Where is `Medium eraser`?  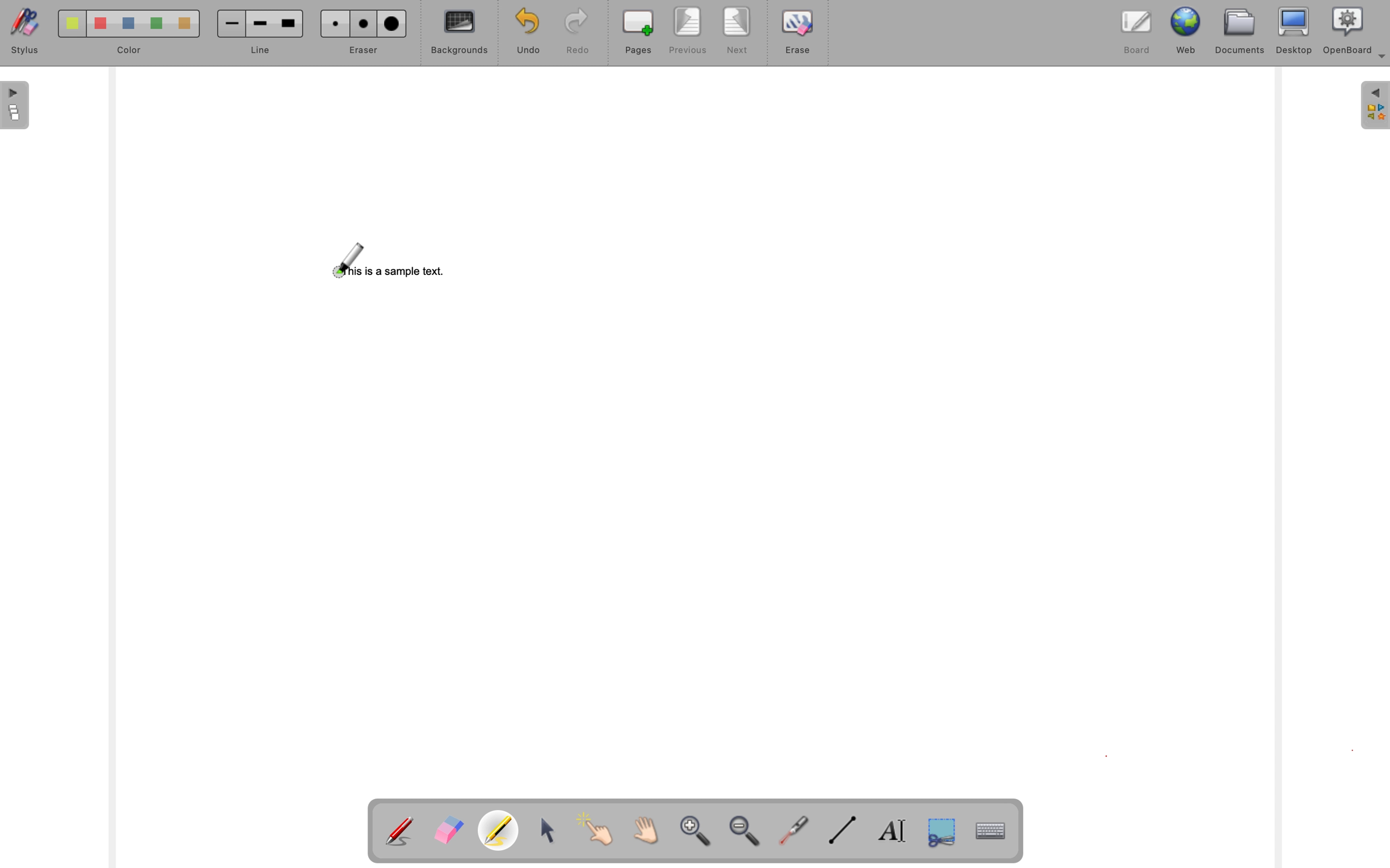 Medium eraser is located at coordinates (365, 25).